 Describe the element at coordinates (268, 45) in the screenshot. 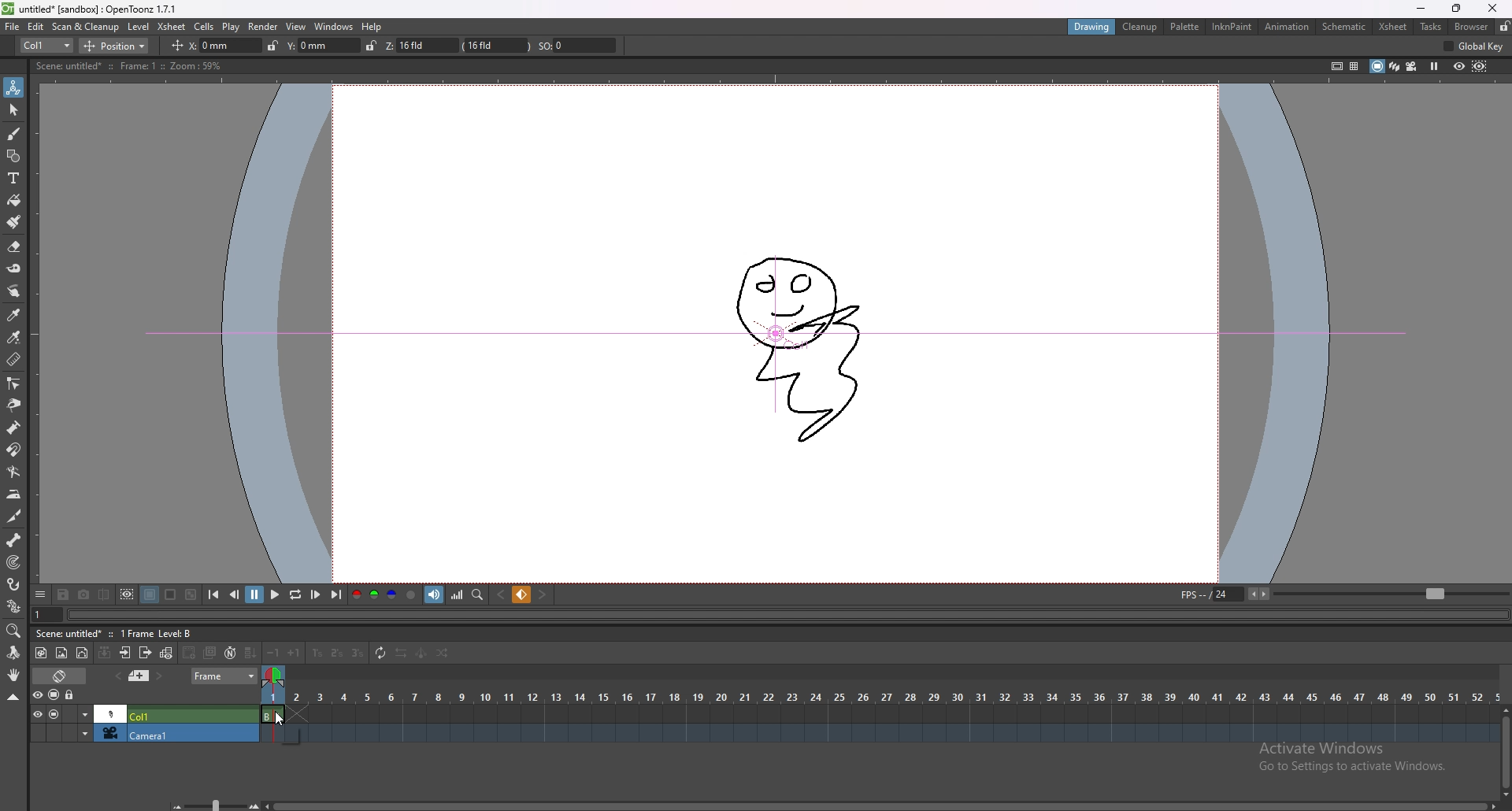

I see `lock` at that location.